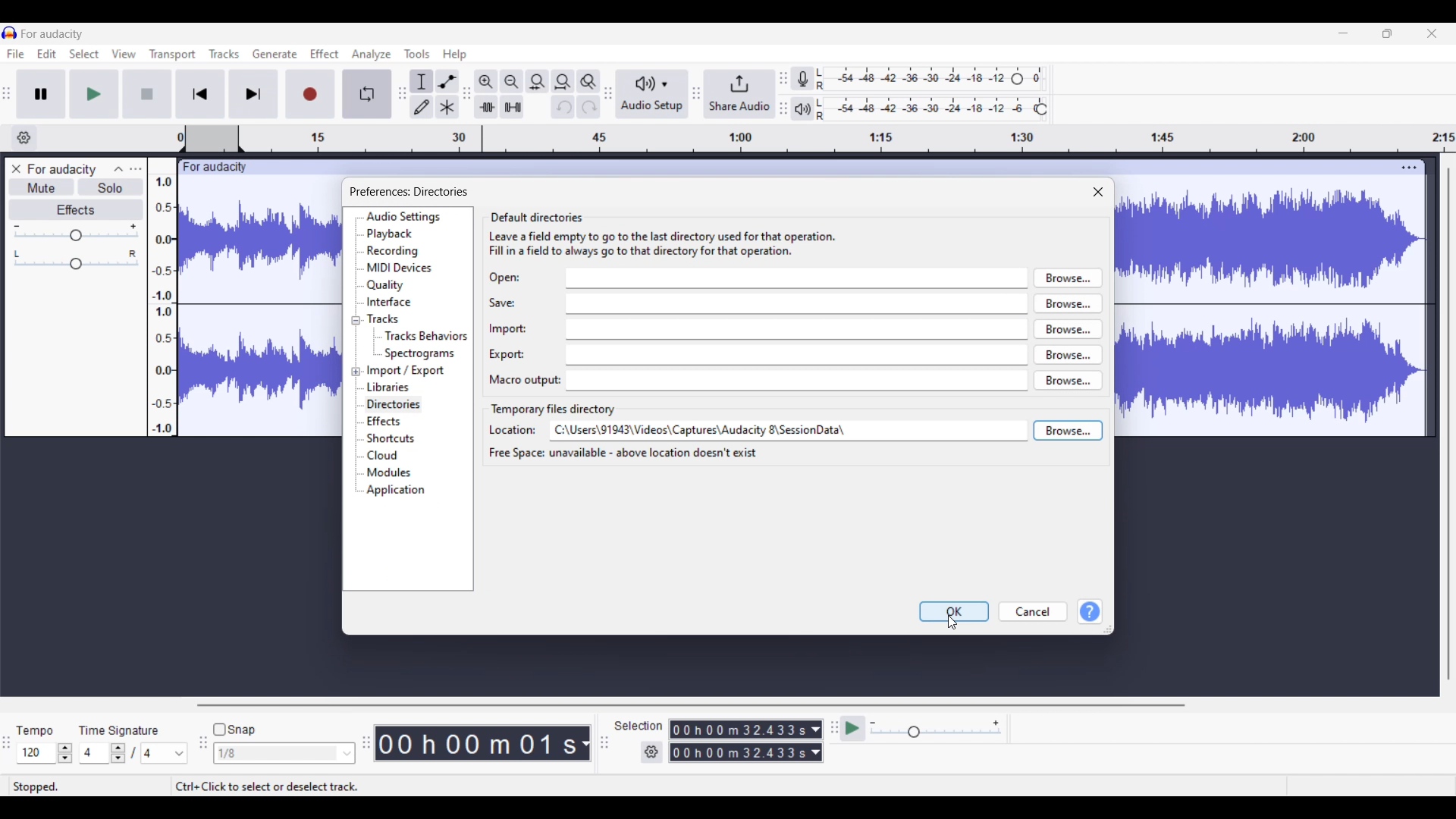 The height and width of the screenshot is (819, 1456). I want to click on MIDI devices, so click(400, 268).